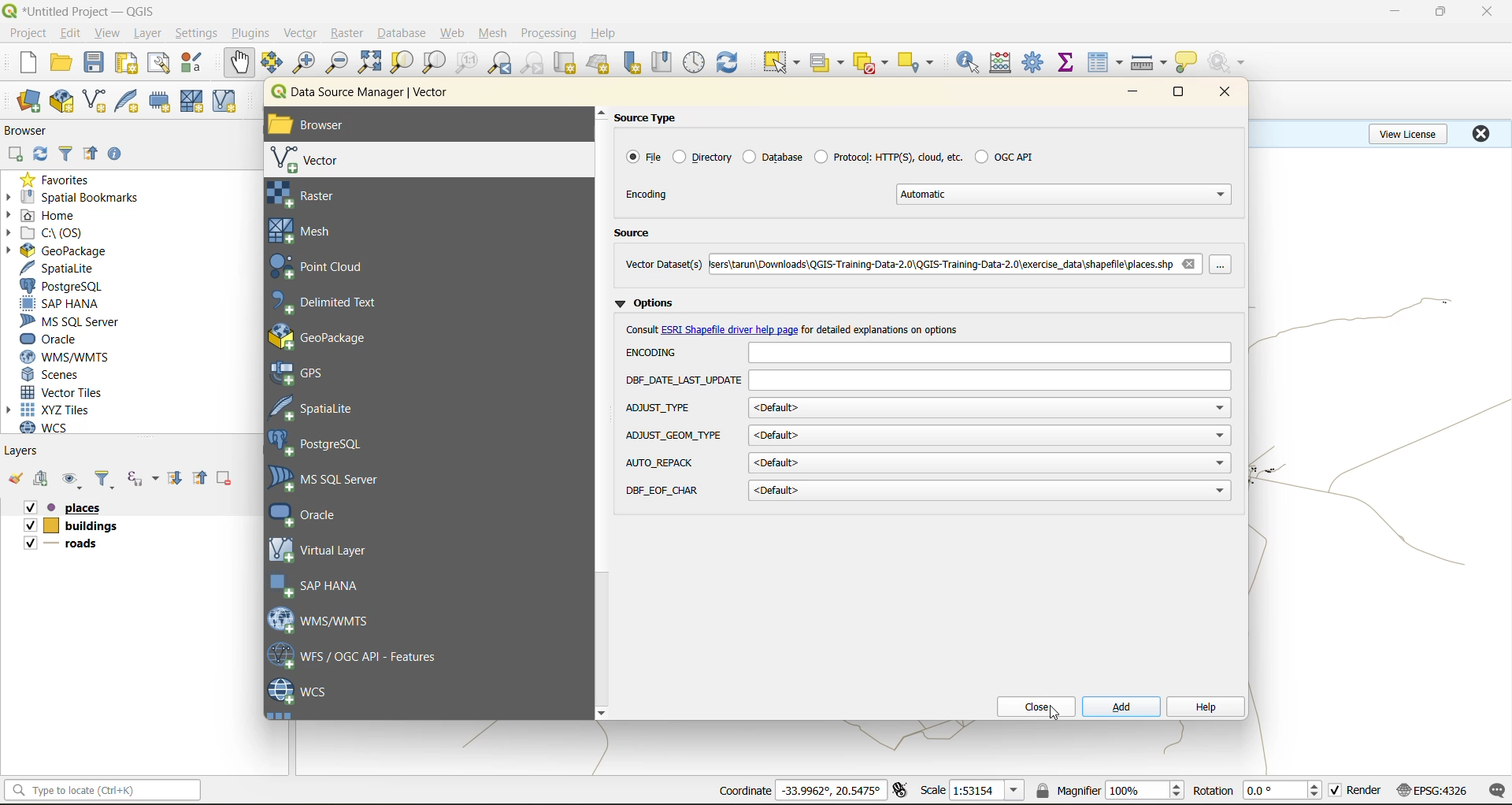 This screenshot has width=1512, height=805. I want to click on new geopackage layer, so click(62, 102).